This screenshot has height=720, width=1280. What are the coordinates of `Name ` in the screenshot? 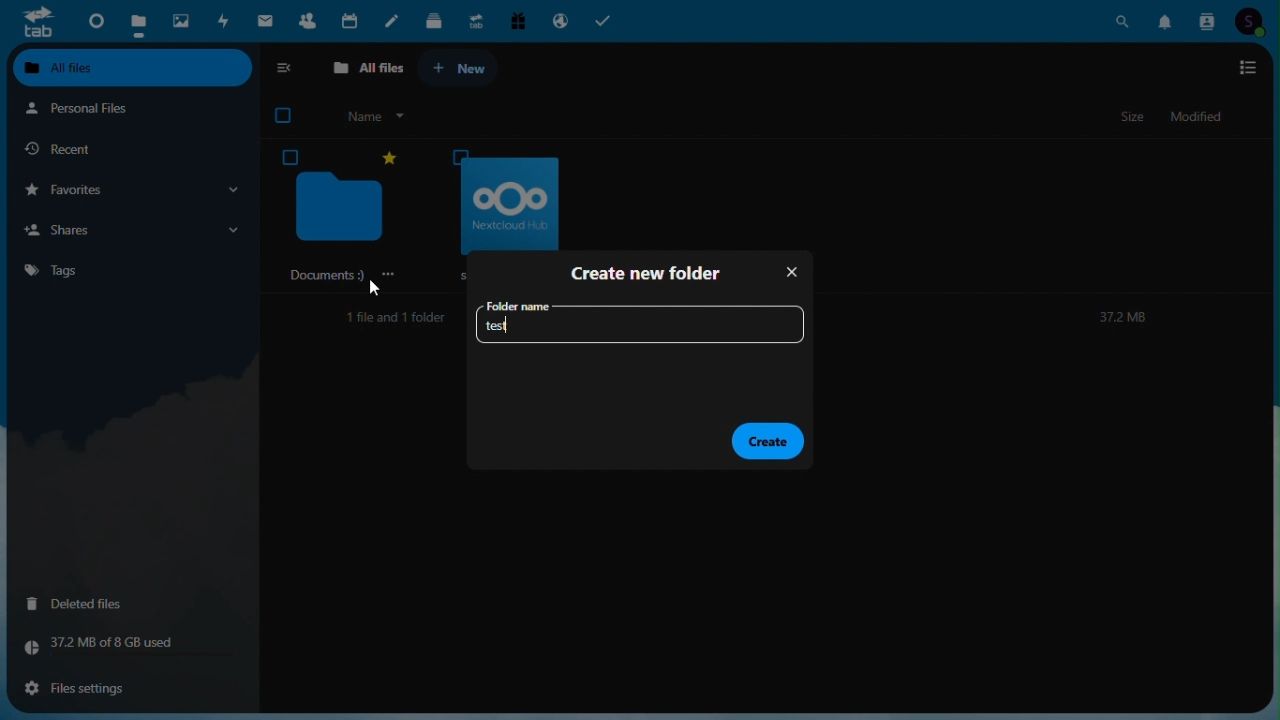 It's located at (368, 120).